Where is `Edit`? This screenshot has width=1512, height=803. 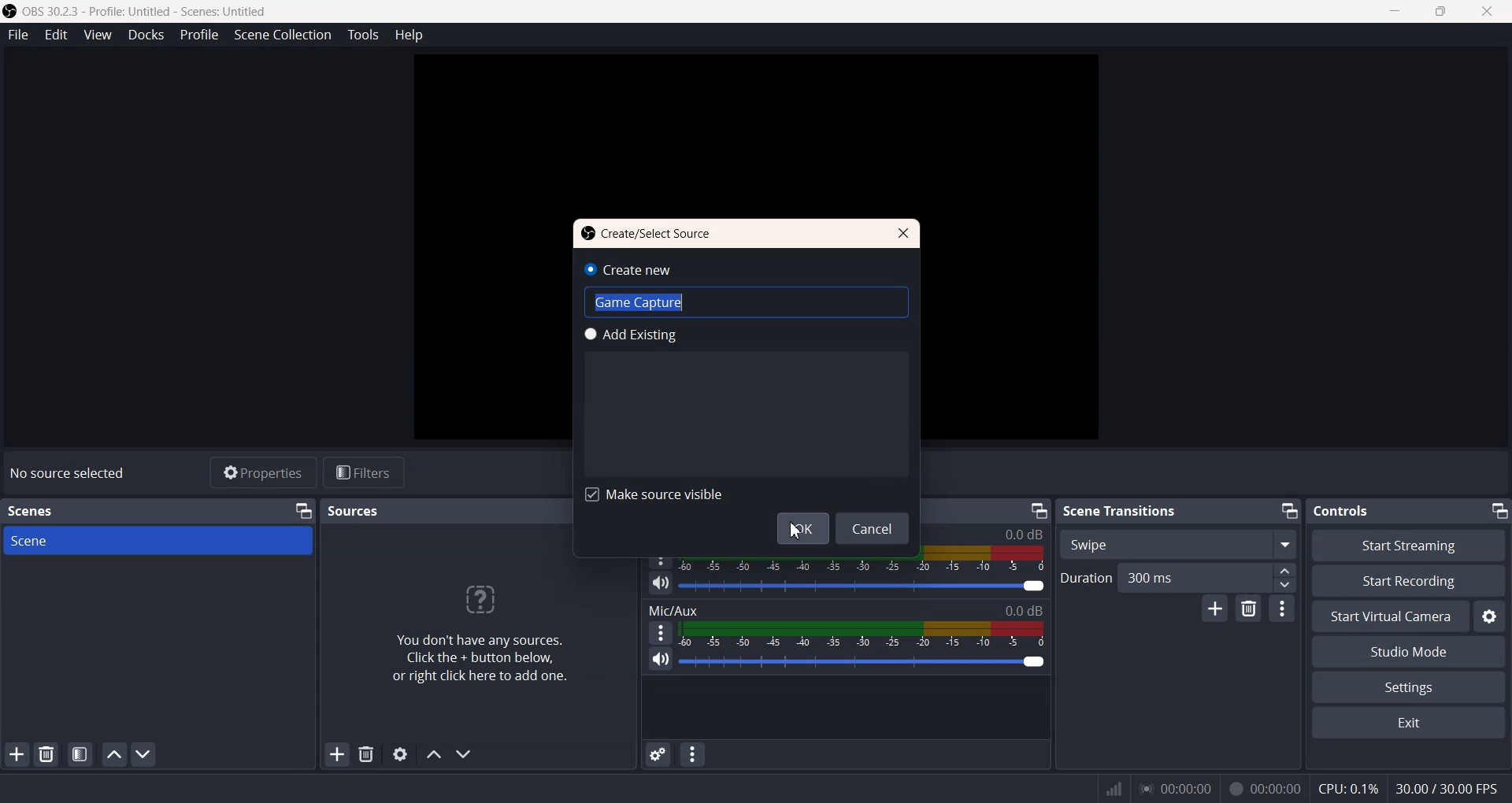 Edit is located at coordinates (57, 34).